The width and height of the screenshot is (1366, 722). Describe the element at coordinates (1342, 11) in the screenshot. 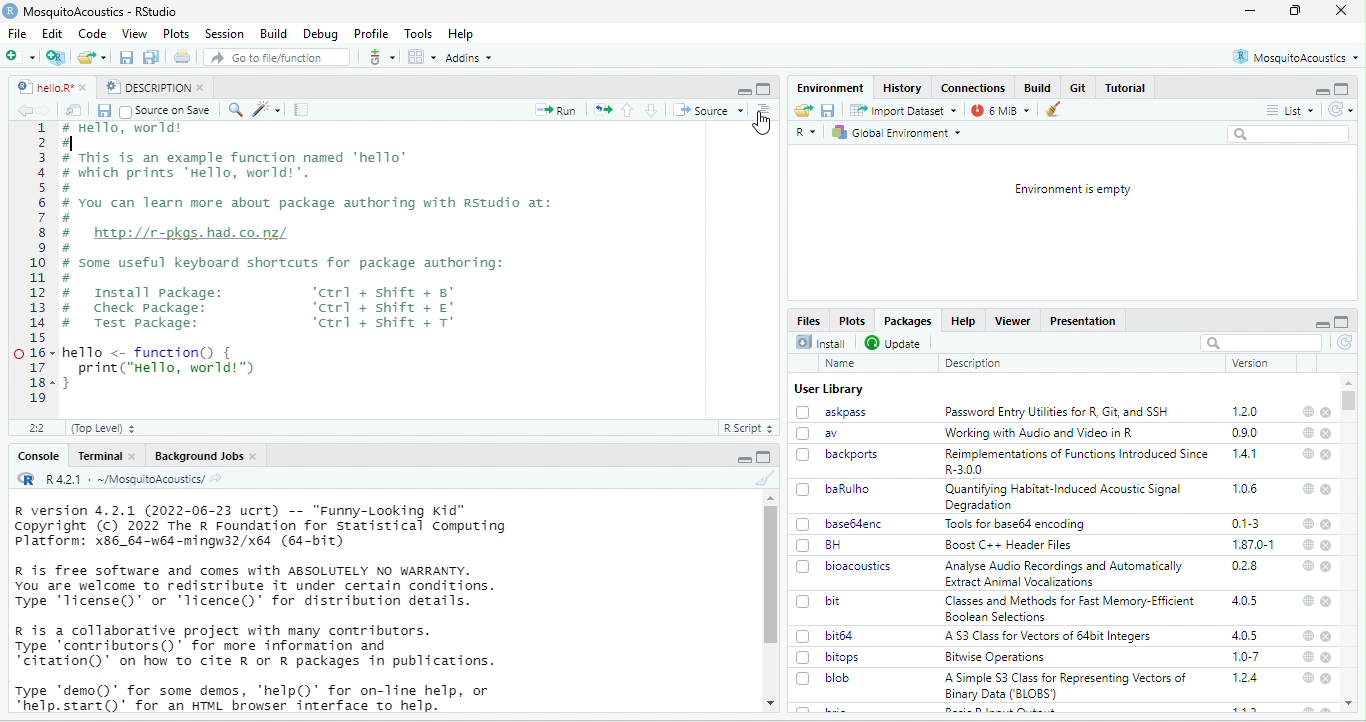

I see `close` at that location.